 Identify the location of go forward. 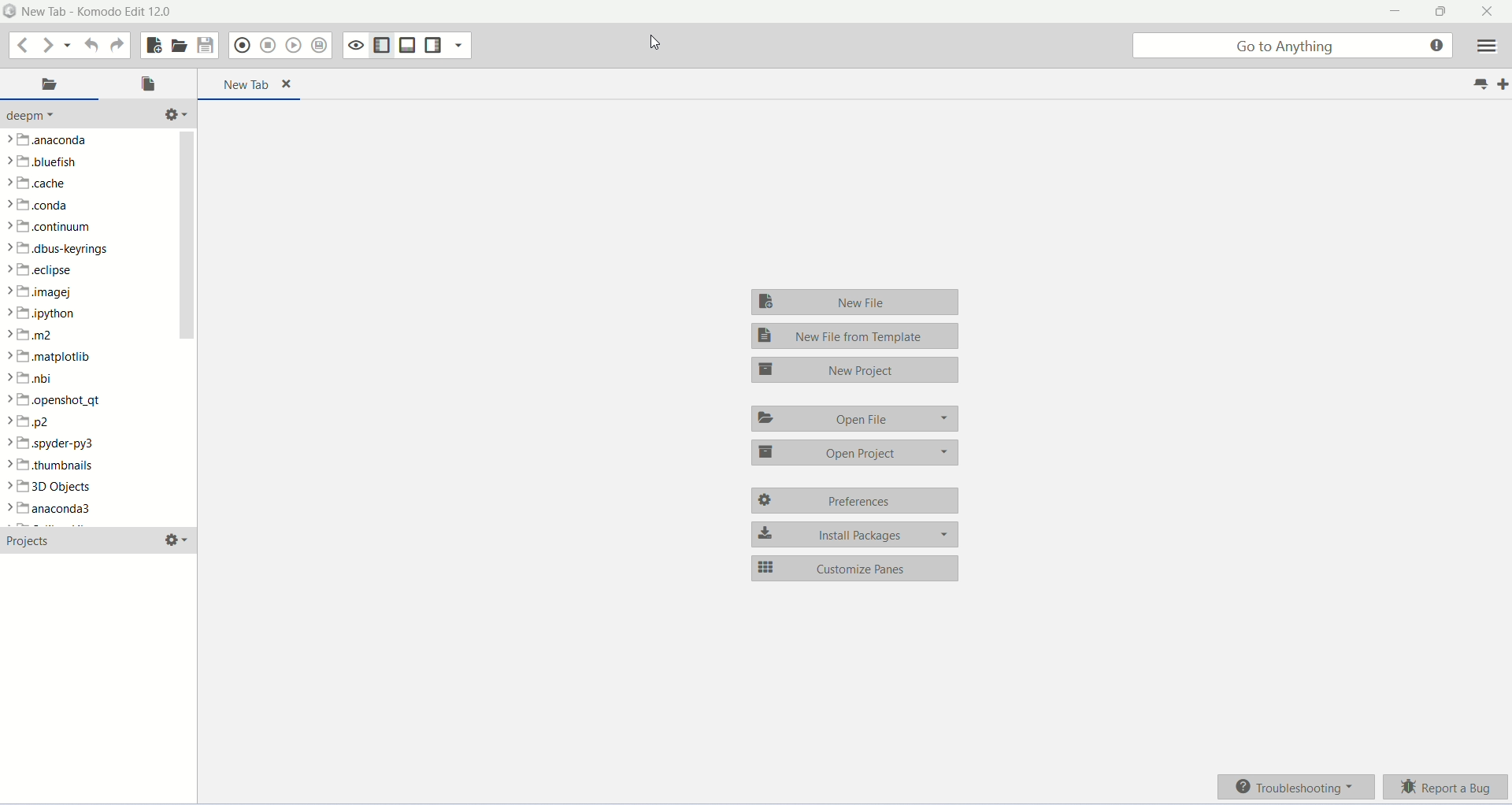
(46, 44).